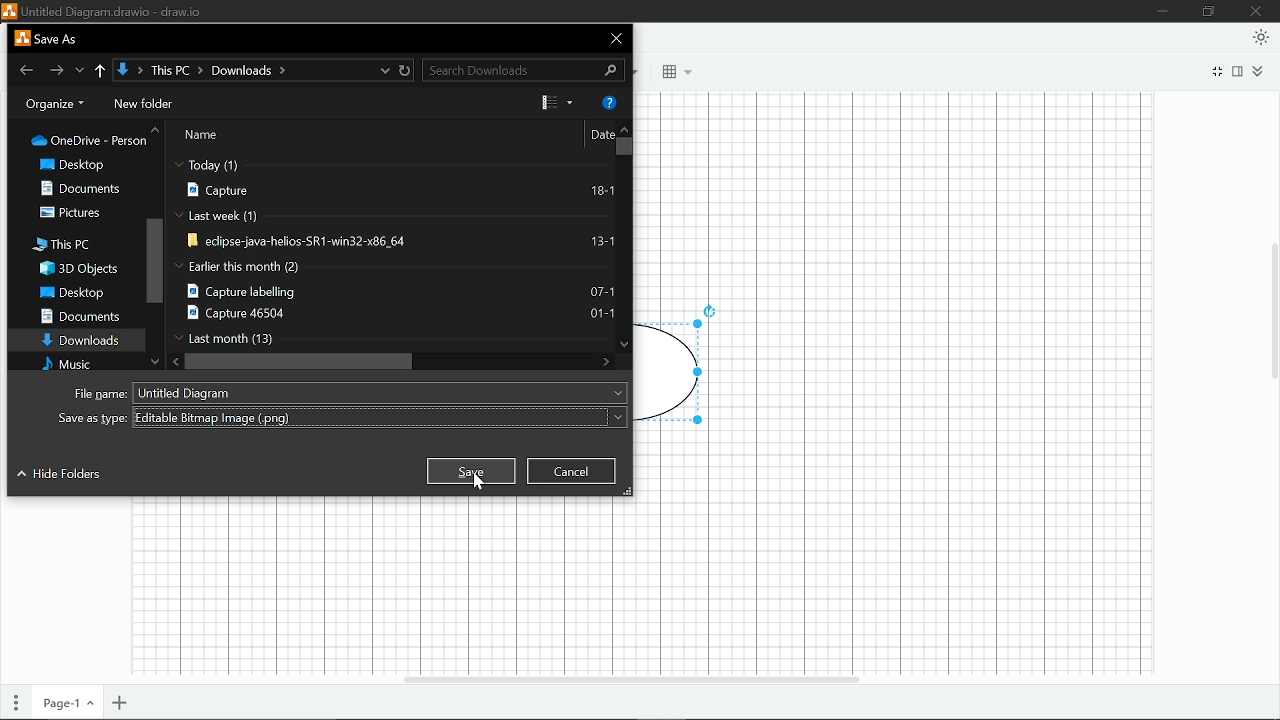  What do you see at coordinates (80, 341) in the screenshot?
I see `Downloads` at bounding box center [80, 341].